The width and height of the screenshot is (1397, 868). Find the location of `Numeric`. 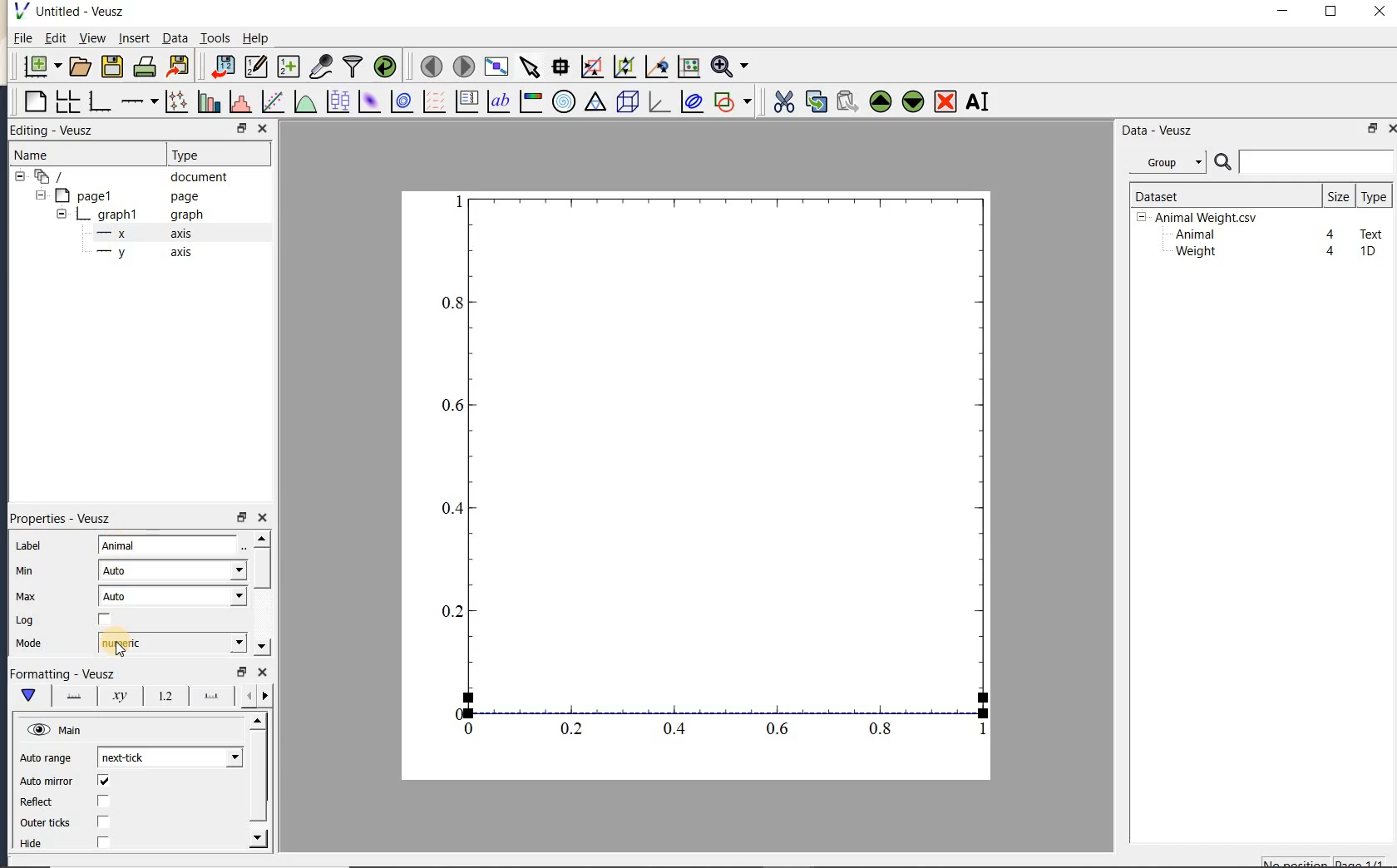

Numeric is located at coordinates (171, 643).